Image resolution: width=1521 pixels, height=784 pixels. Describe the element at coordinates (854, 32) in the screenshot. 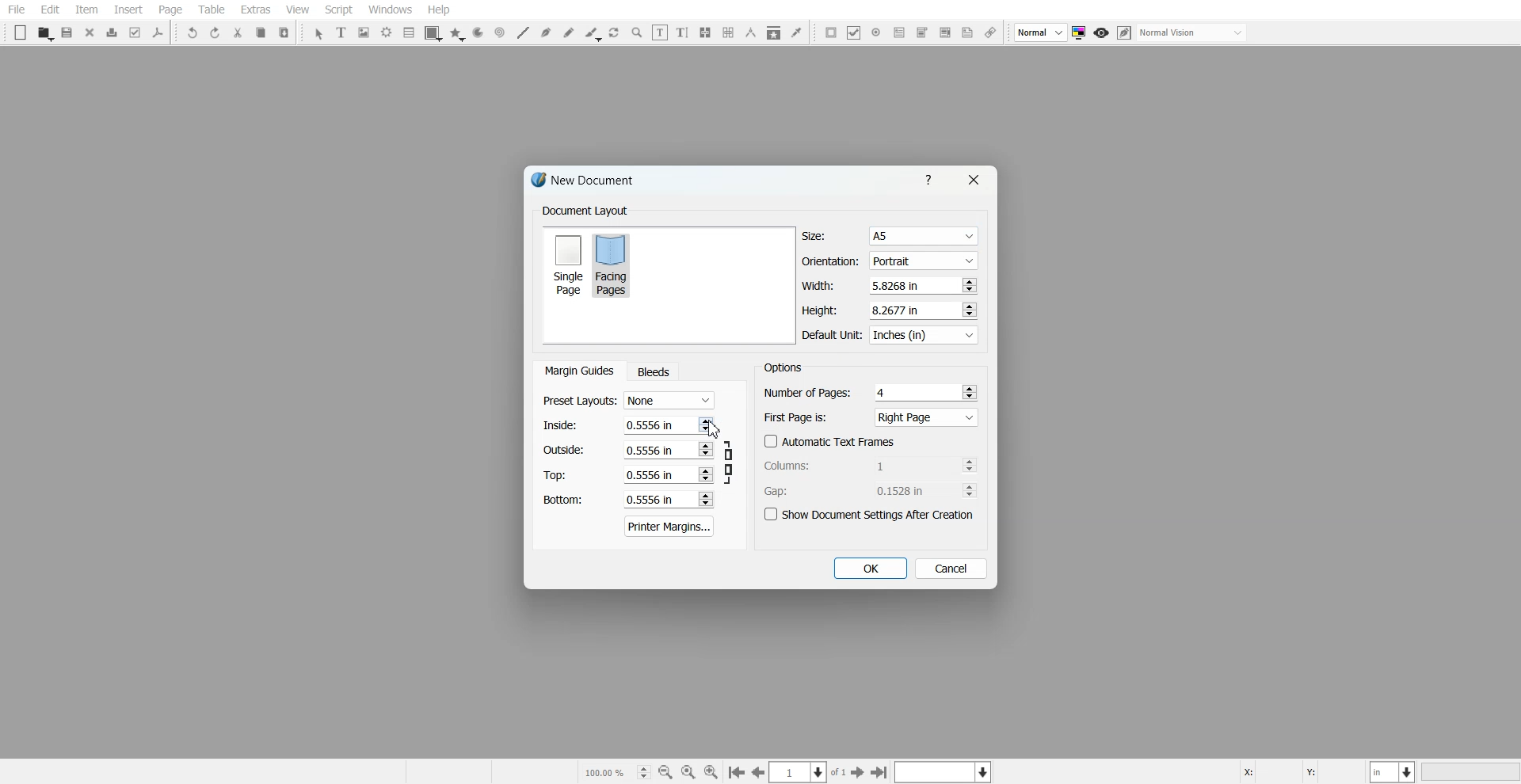

I see `PDF Check Box` at that location.